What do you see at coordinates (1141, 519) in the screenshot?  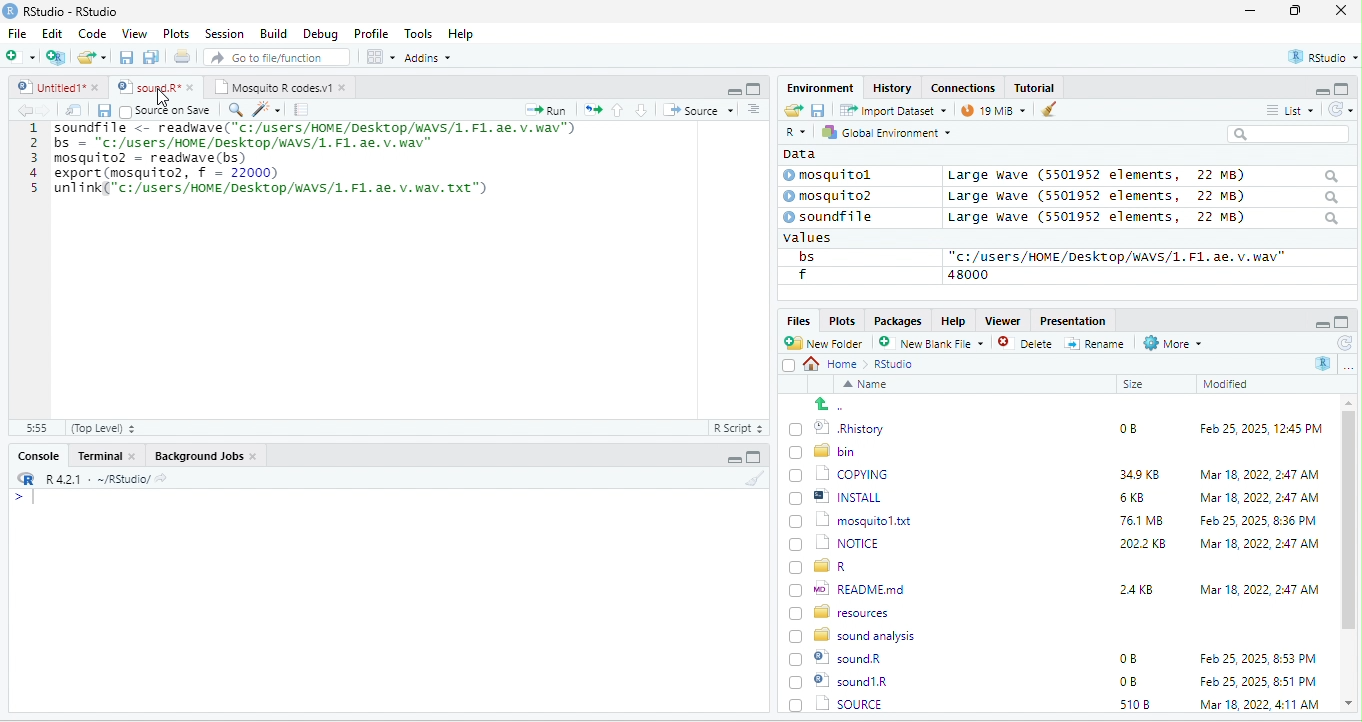 I see `76.1 MB` at bounding box center [1141, 519].